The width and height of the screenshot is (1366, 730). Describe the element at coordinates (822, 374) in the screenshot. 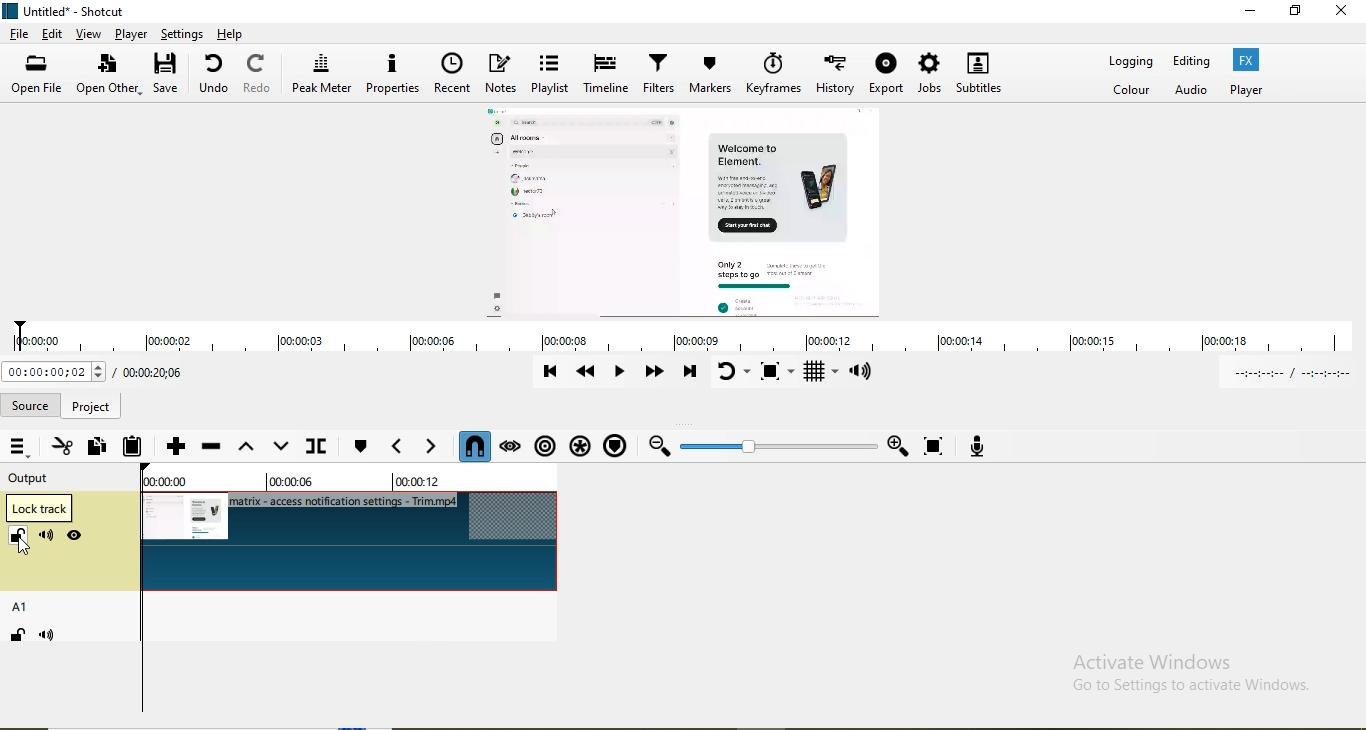

I see `Toggle grid display ` at that location.